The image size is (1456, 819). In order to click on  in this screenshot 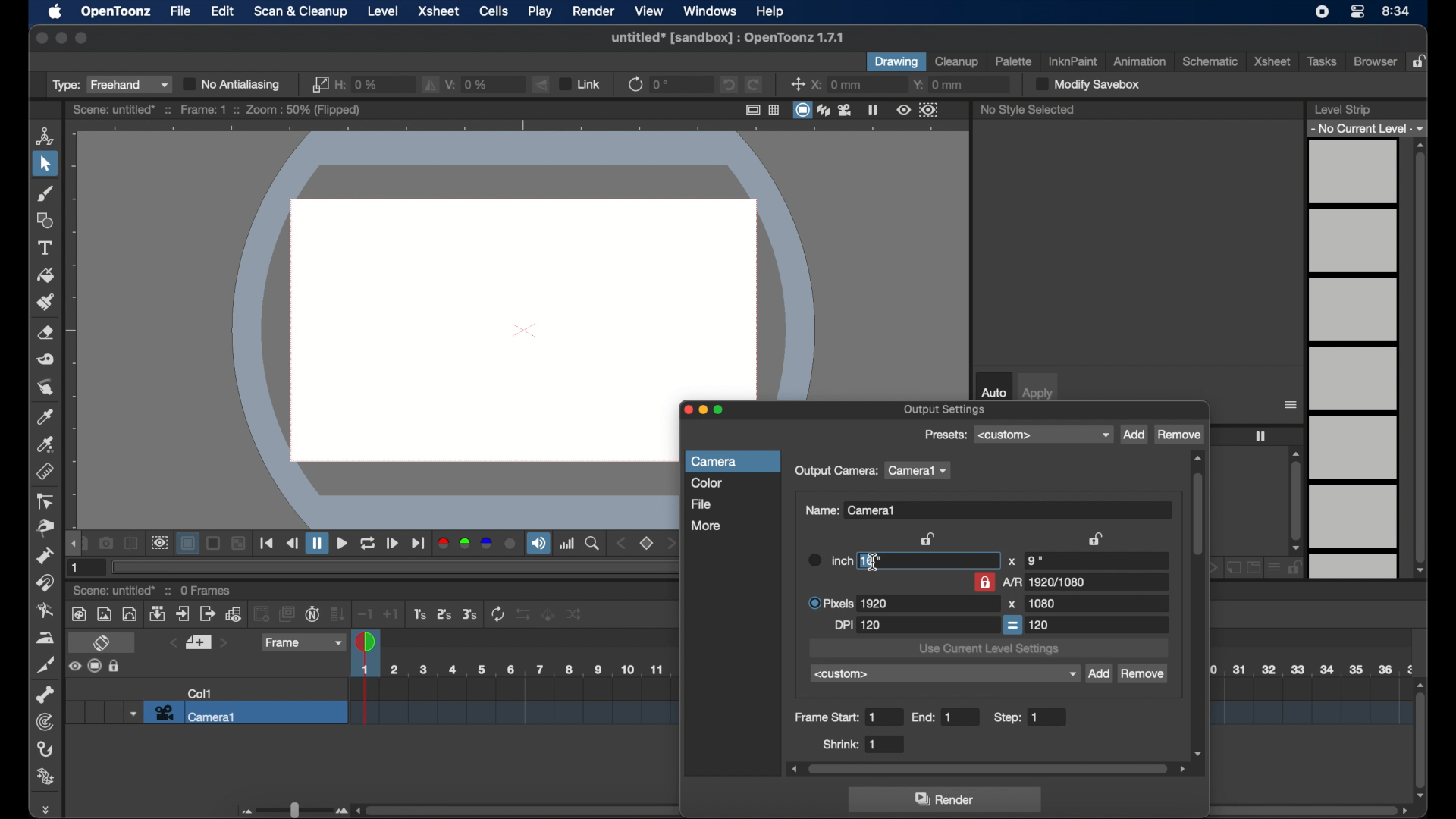, I will do `click(291, 544)`.